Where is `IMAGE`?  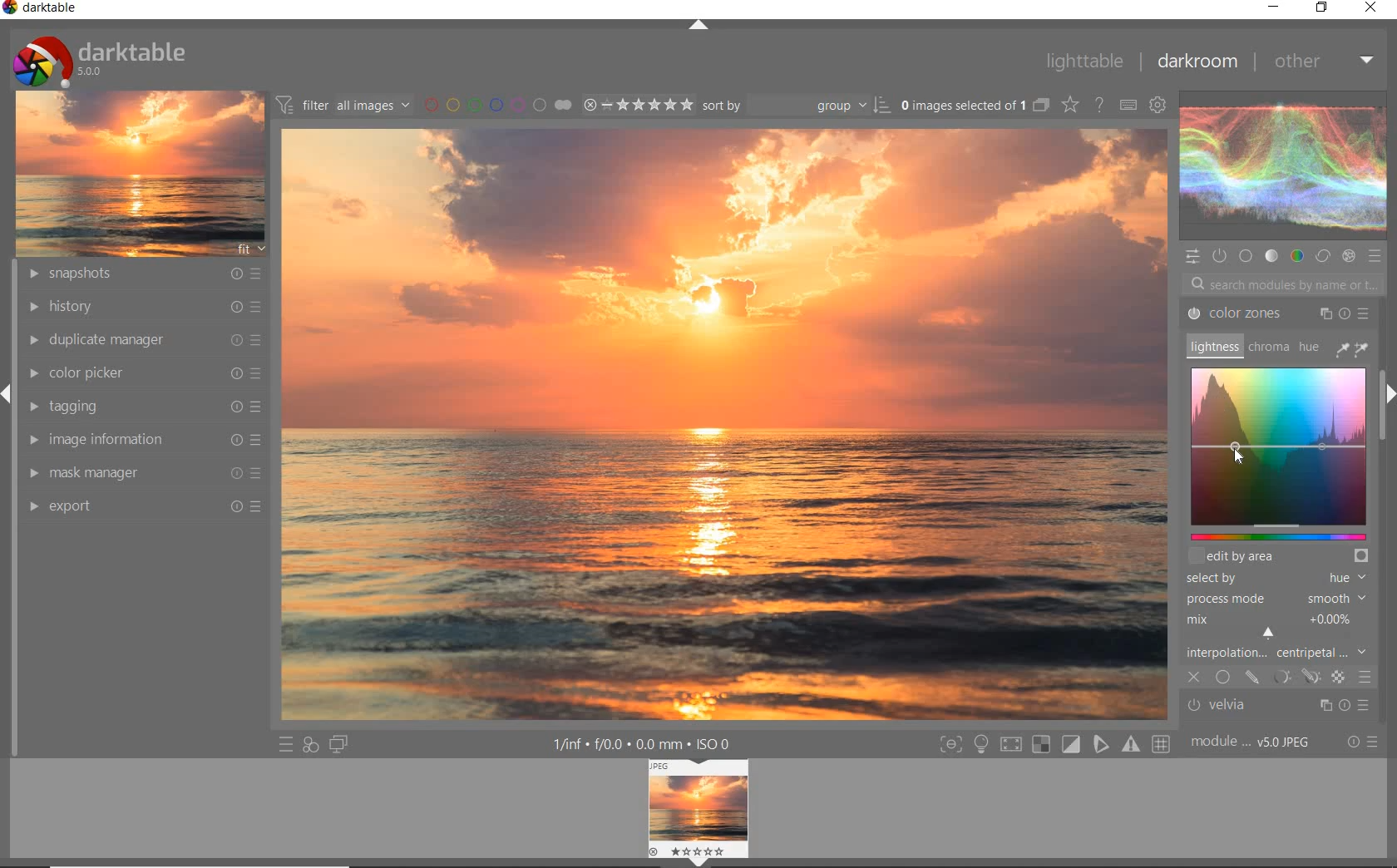
IMAGE is located at coordinates (140, 172).